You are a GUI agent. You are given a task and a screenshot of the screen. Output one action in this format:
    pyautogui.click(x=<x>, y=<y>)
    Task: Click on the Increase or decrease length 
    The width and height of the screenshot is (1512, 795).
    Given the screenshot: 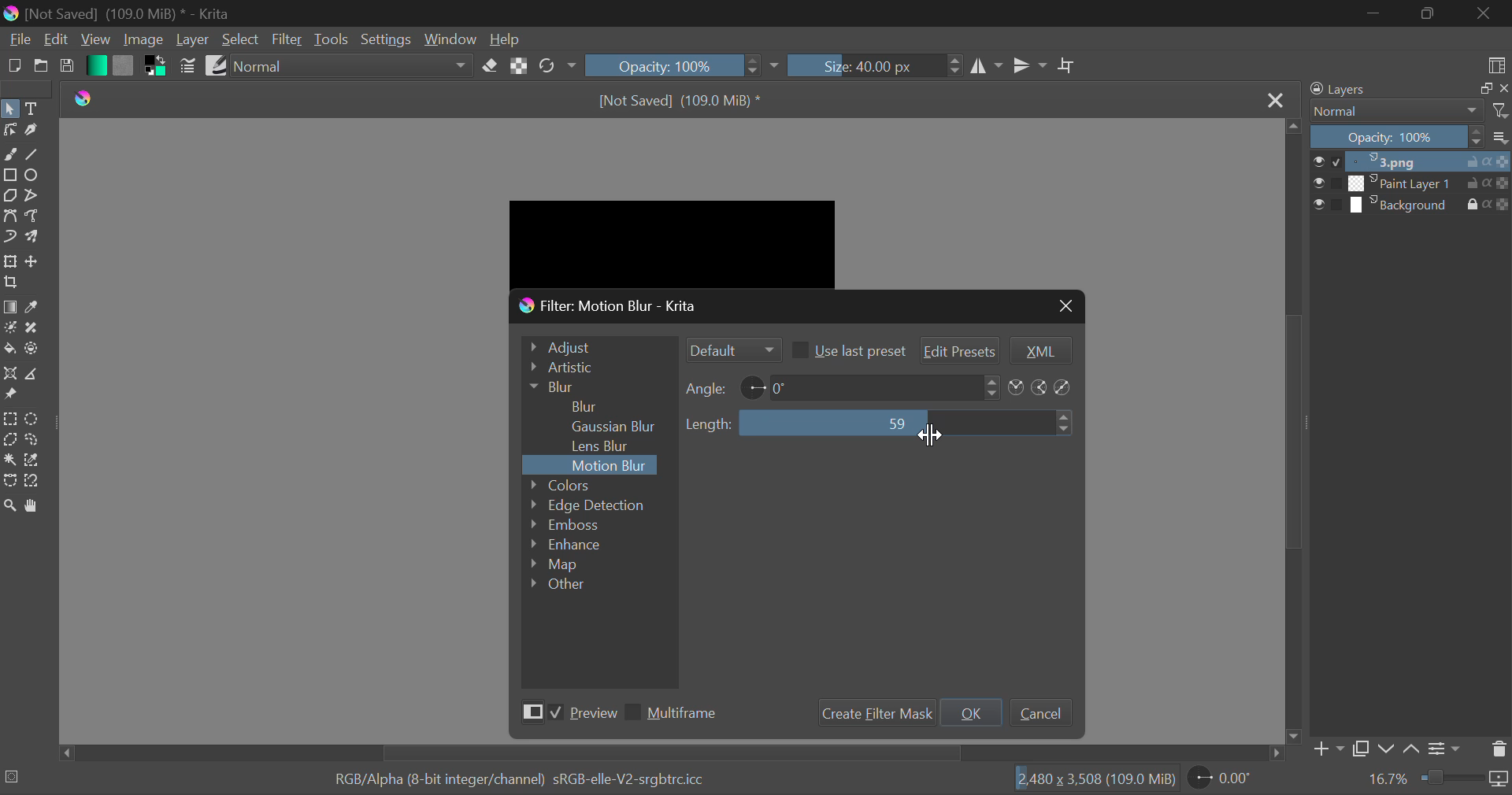 What is the action you would take?
    pyautogui.click(x=1065, y=423)
    